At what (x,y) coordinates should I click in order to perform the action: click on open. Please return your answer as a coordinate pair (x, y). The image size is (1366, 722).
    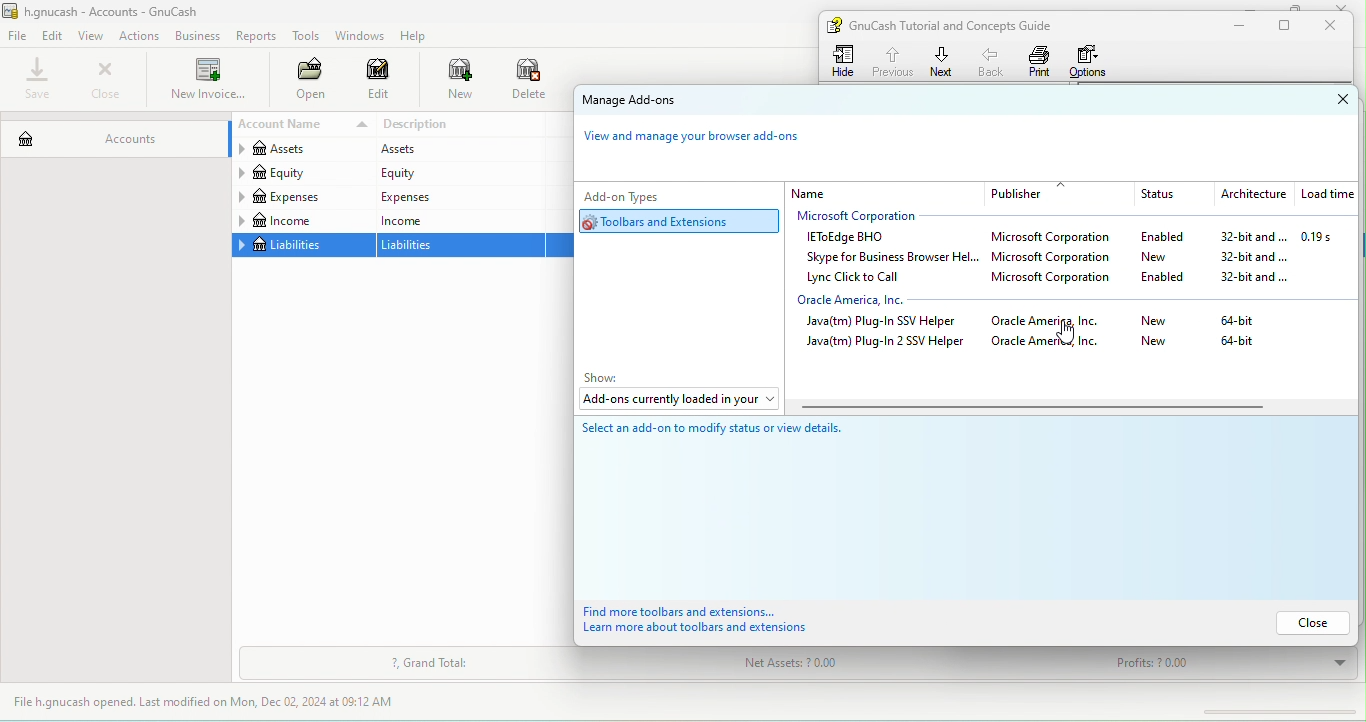
    Looking at the image, I should click on (305, 81).